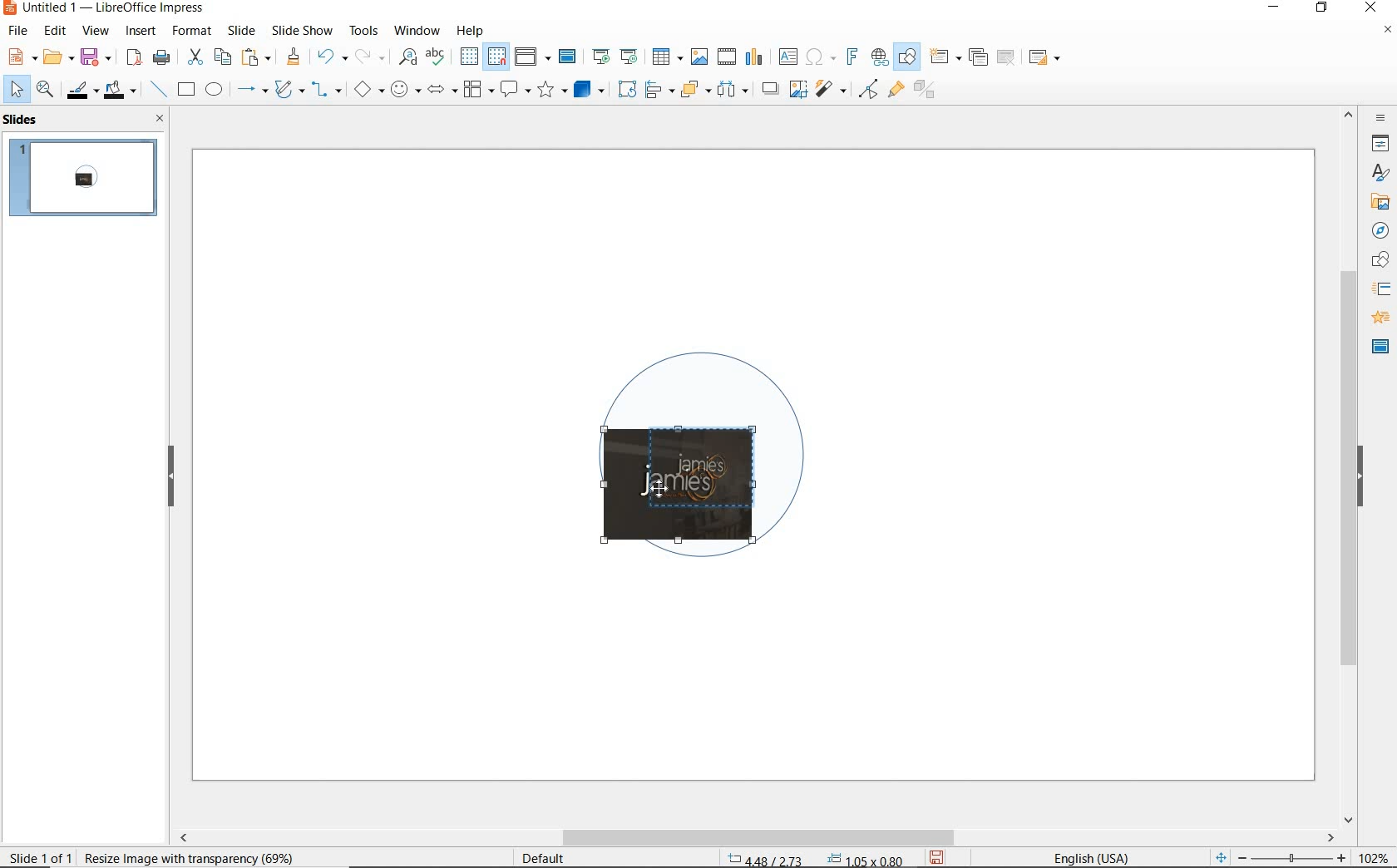 Image resolution: width=1397 pixels, height=868 pixels. What do you see at coordinates (161, 56) in the screenshot?
I see `print` at bounding box center [161, 56].